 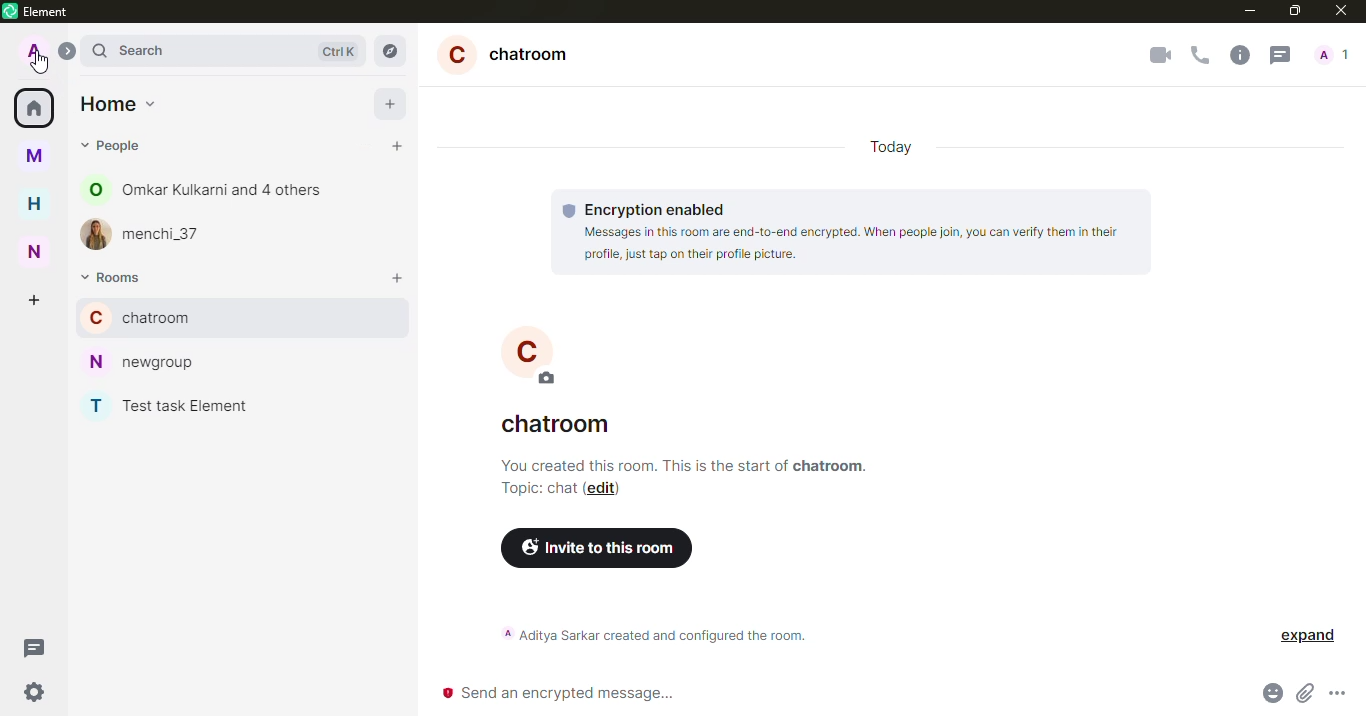 I want to click on invite to this room, so click(x=597, y=549).